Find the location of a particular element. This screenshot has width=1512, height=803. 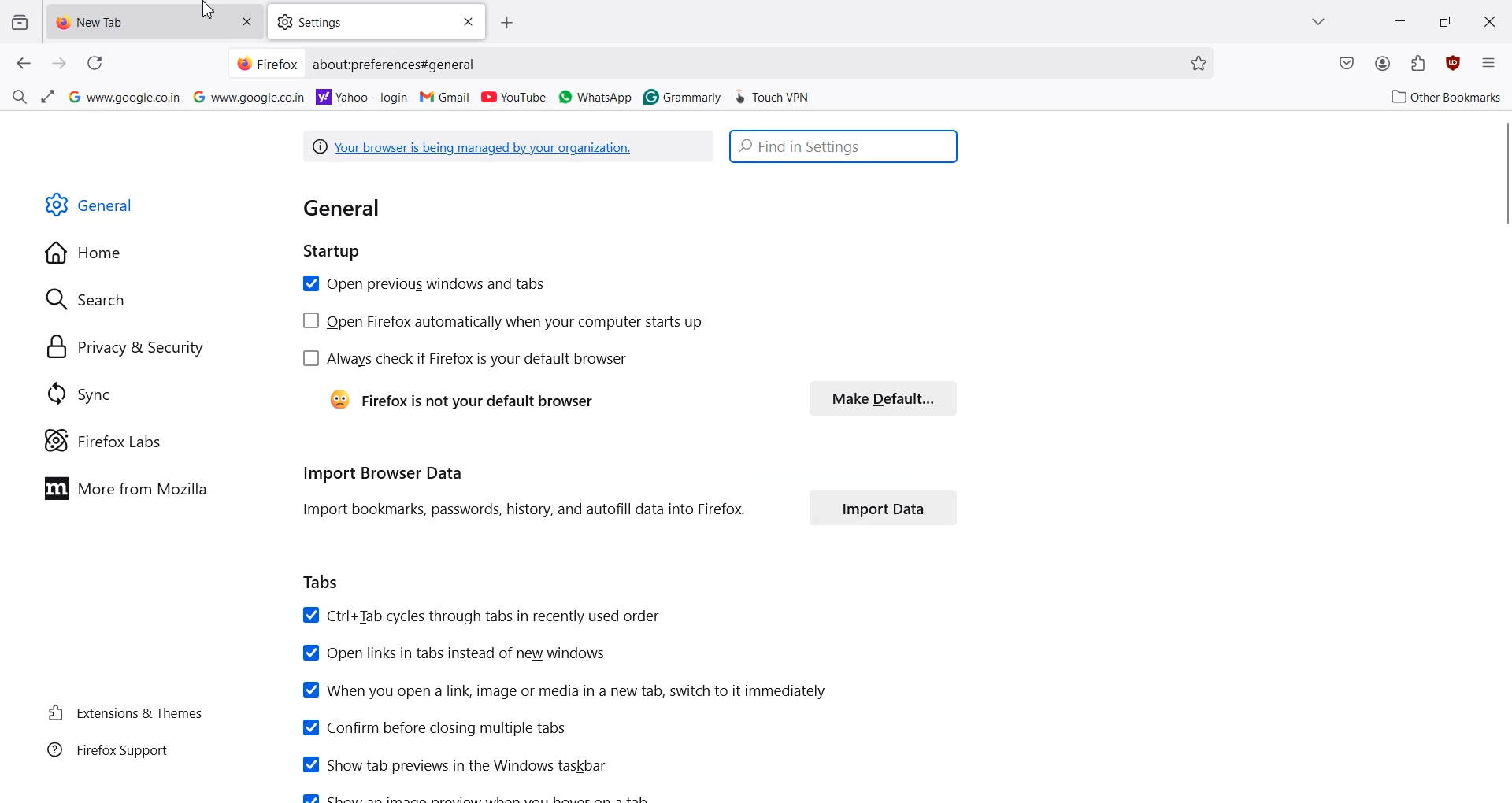

Fullscreen is located at coordinates (46, 97).